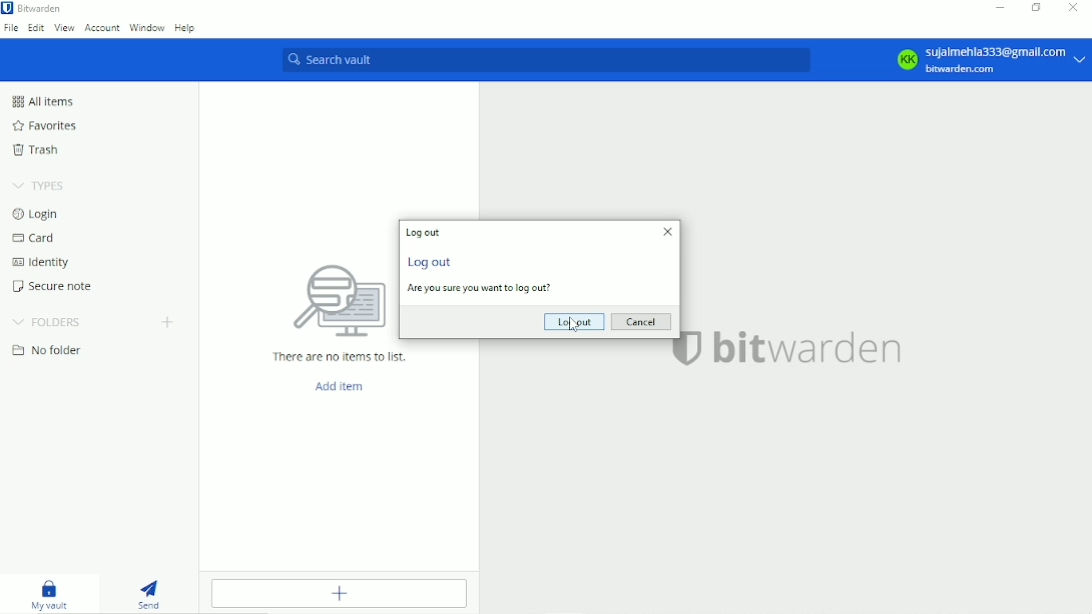  Describe the element at coordinates (342, 387) in the screenshot. I see `Add item` at that location.